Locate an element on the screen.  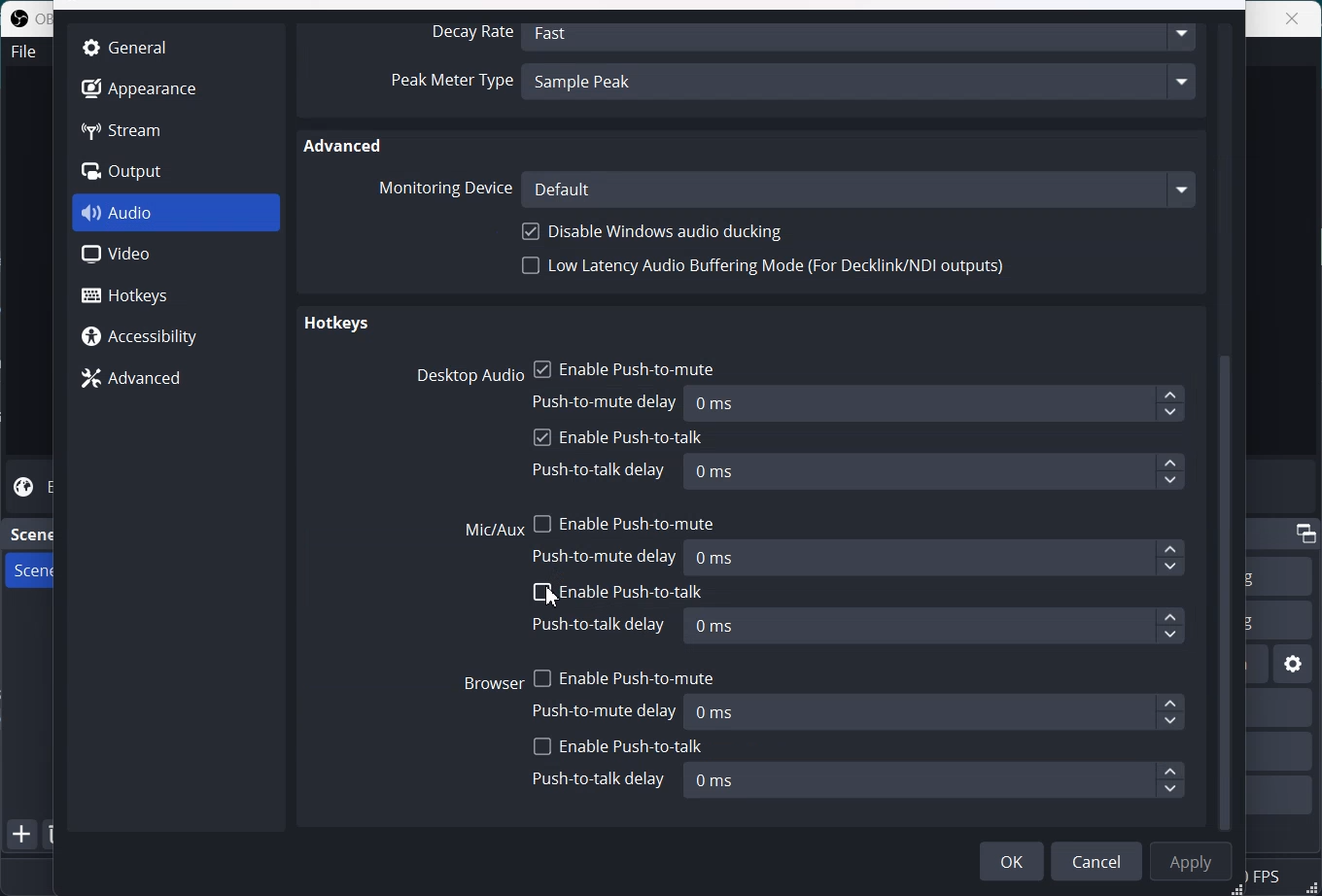
Hotkeys is located at coordinates (335, 326).